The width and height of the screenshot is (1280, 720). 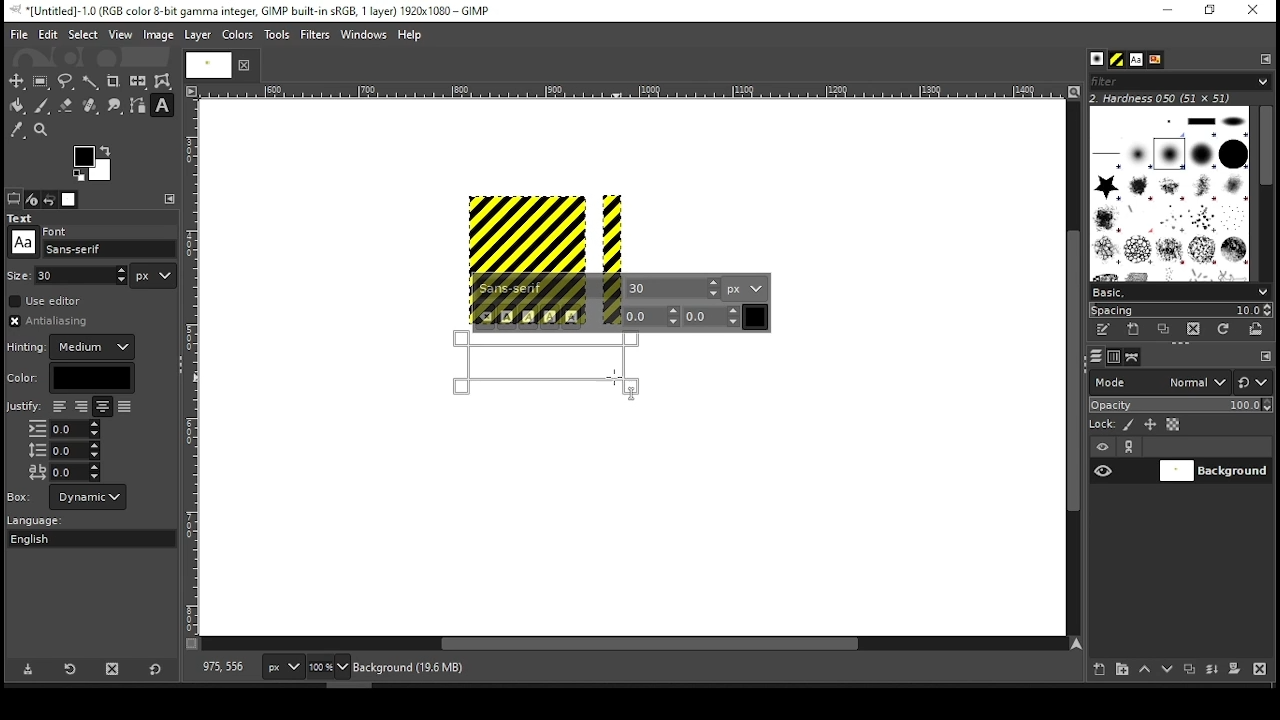 What do you see at coordinates (1159, 384) in the screenshot?
I see `mode` at bounding box center [1159, 384].